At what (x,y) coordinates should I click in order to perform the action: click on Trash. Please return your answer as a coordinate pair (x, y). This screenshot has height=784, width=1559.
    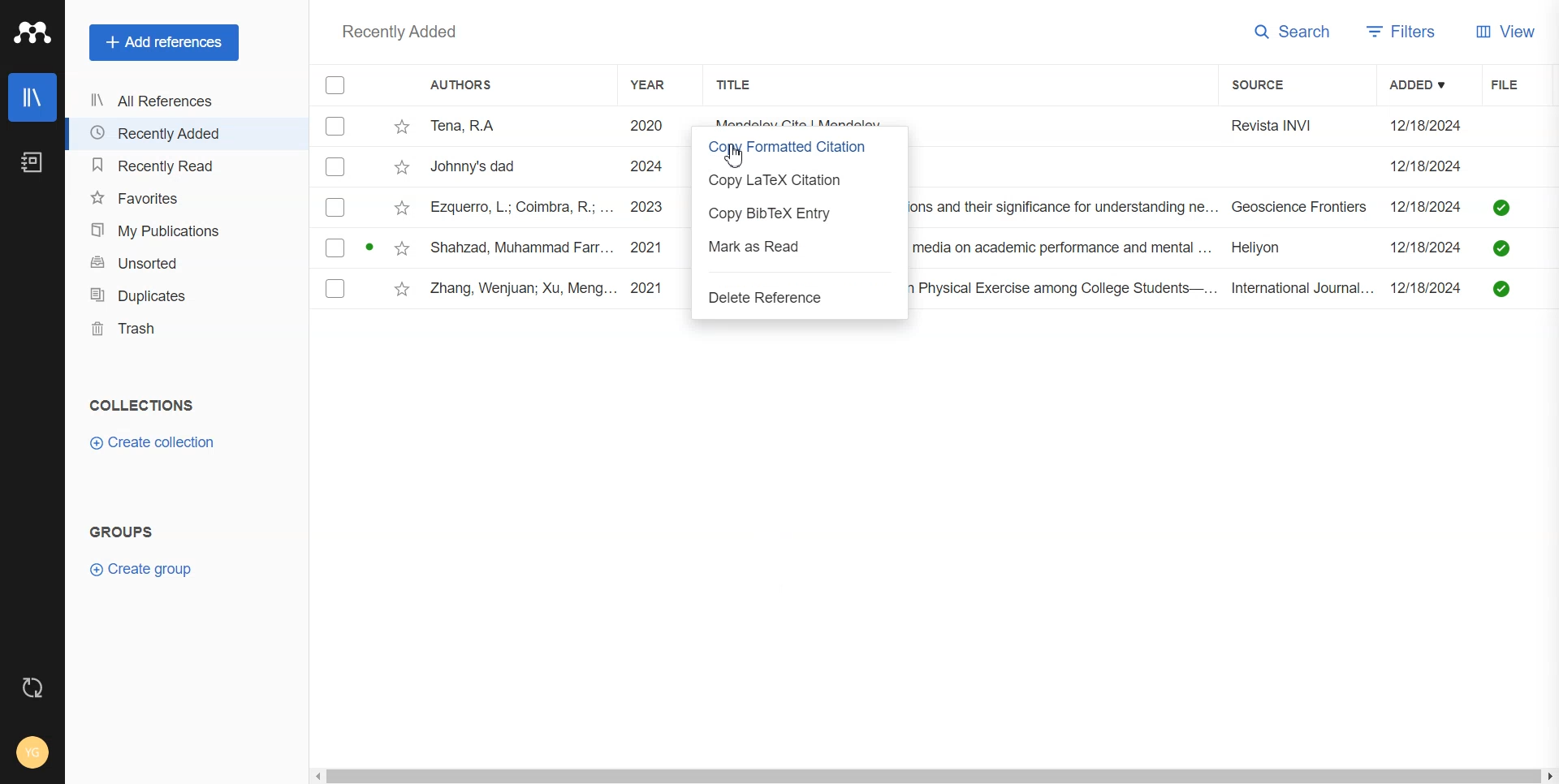
    Looking at the image, I should click on (188, 328).